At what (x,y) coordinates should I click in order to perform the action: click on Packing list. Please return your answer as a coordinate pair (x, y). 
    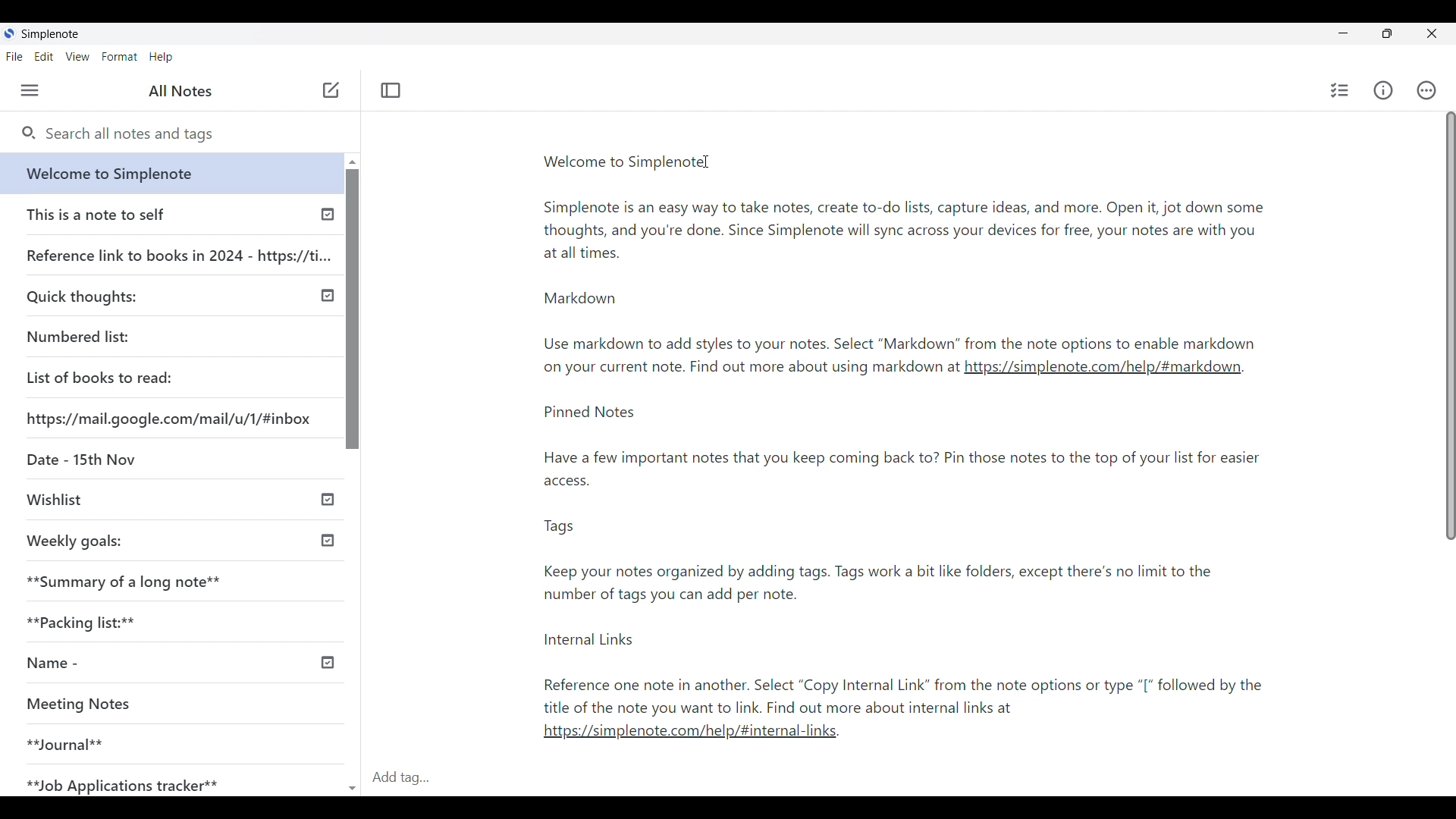
    Looking at the image, I should click on (79, 622).